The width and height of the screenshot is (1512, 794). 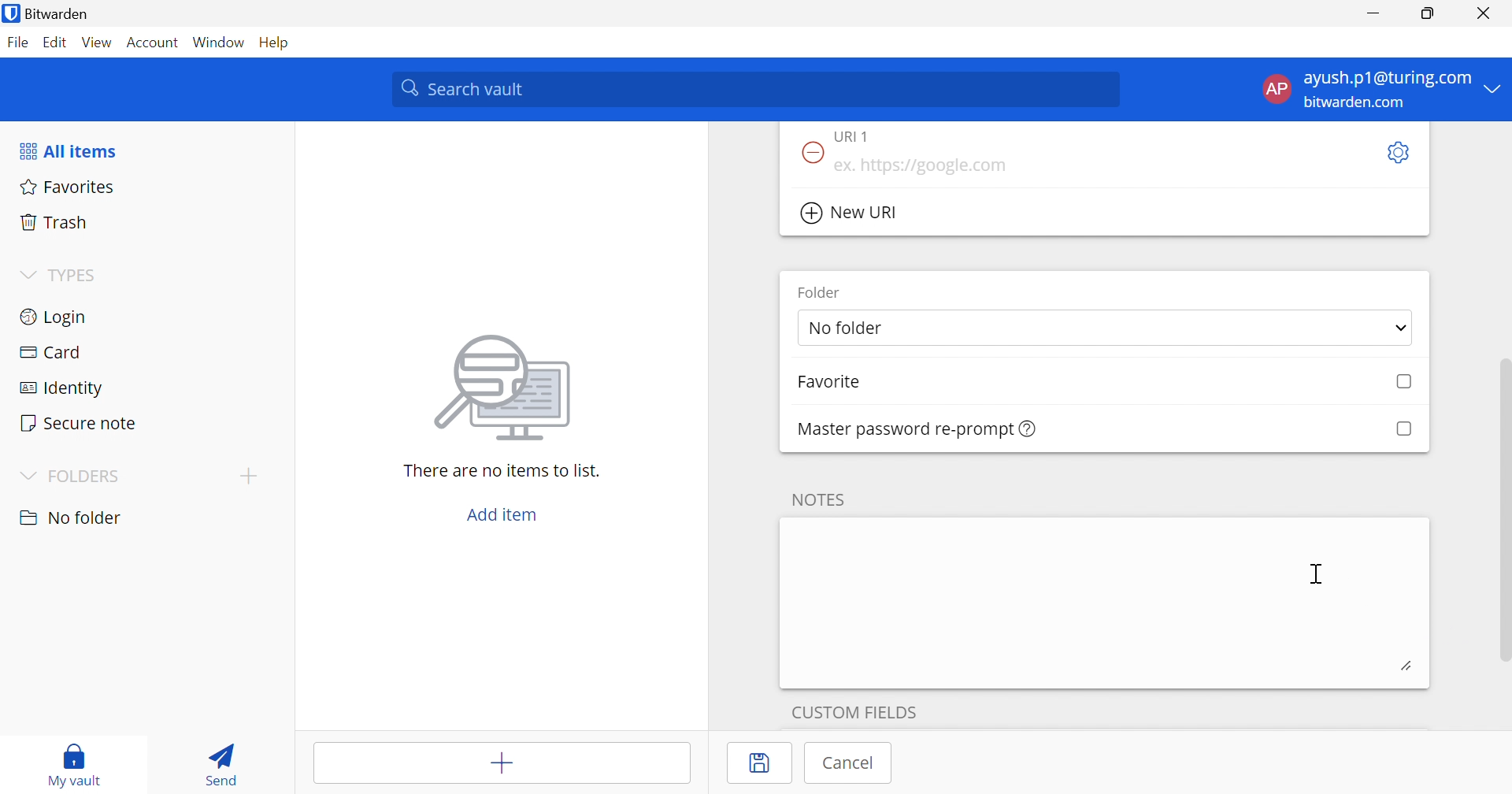 I want to click on Scroll Bar, so click(x=1503, y=495).